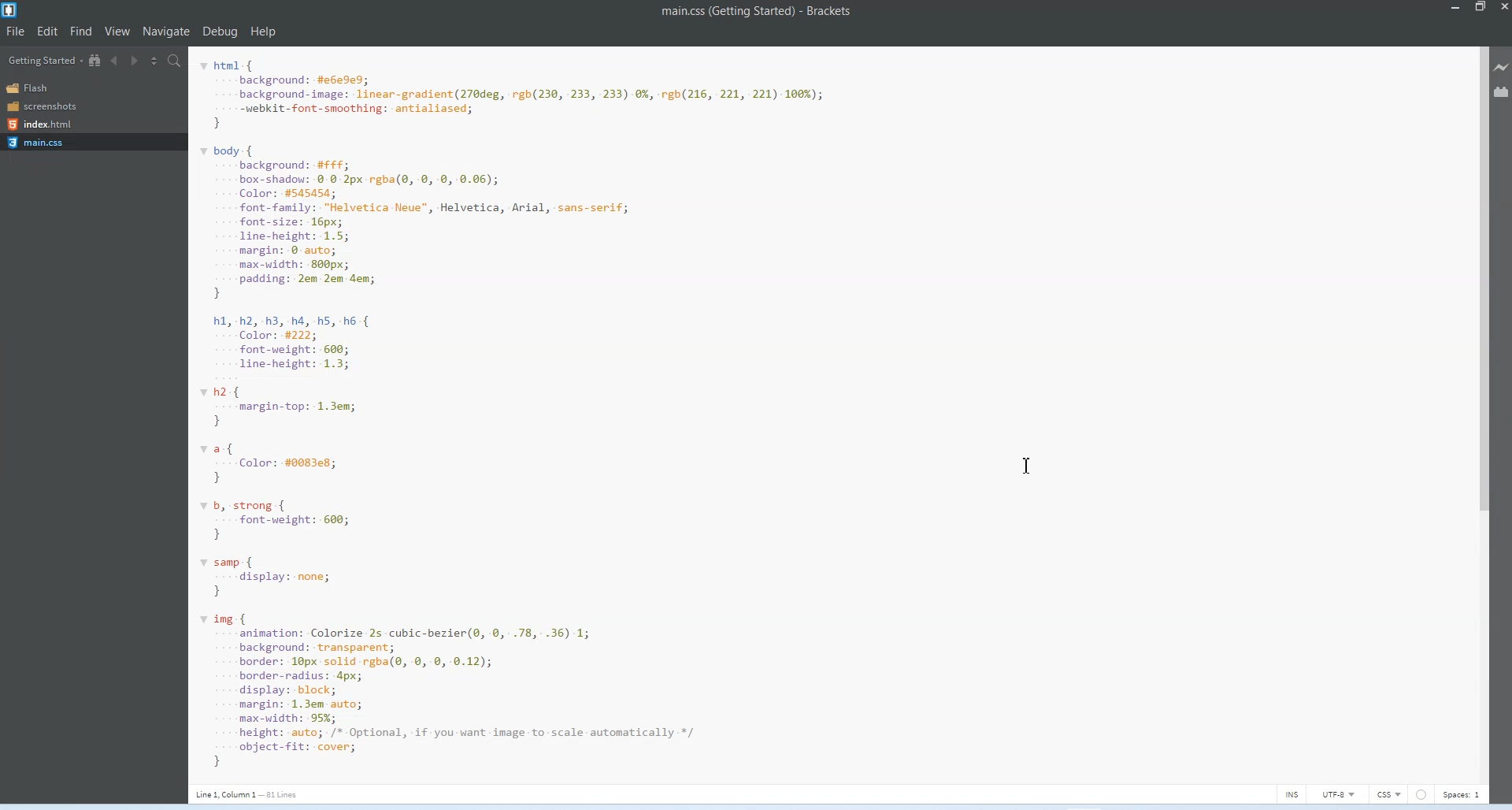  I want to click on Show in file Tree, so click(95, 61).